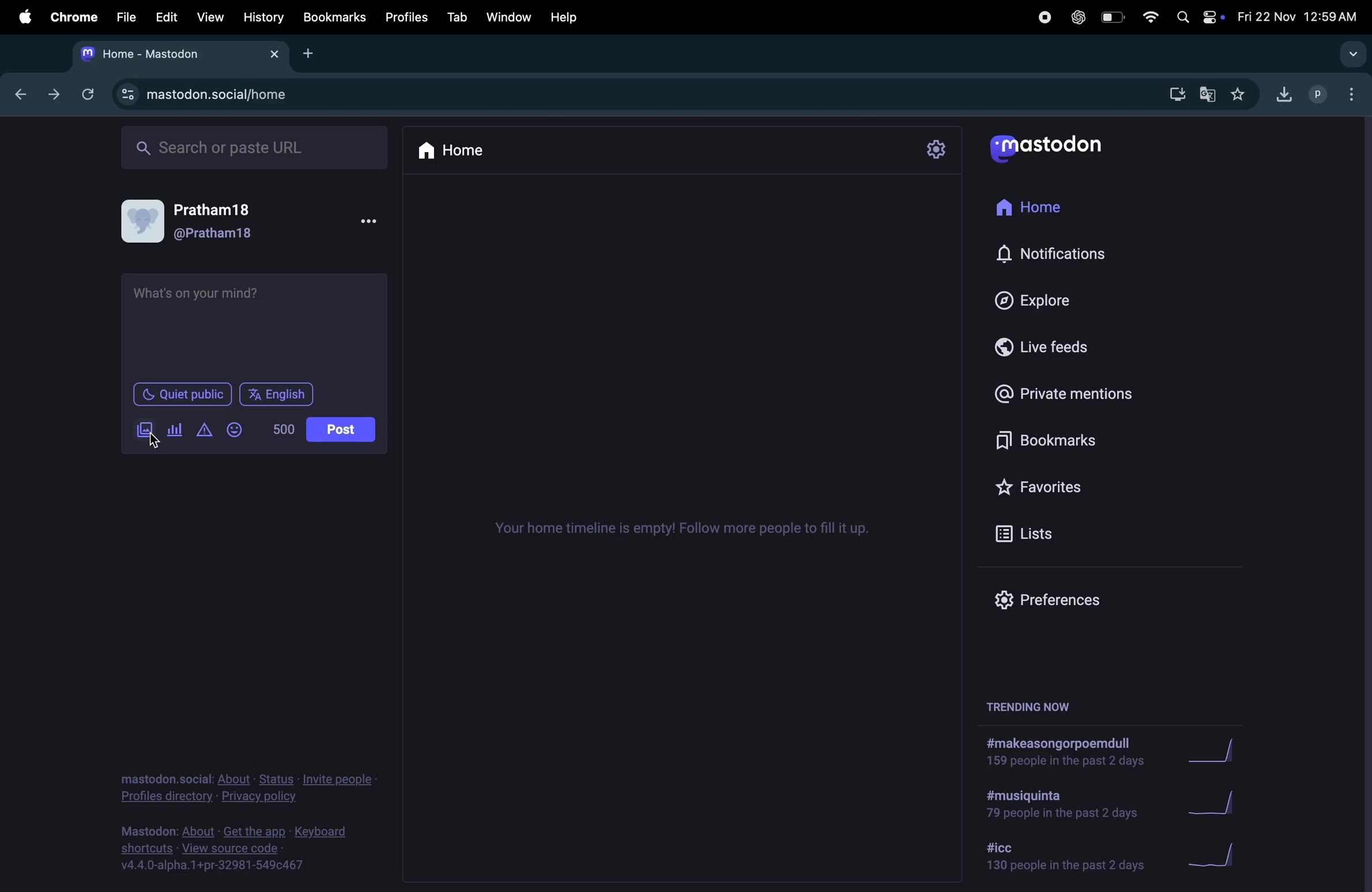 The height and width of the screenshot is (892, 1372). Describe the element at coordinates (404, 19) in the screenshot. I see `` at that location.